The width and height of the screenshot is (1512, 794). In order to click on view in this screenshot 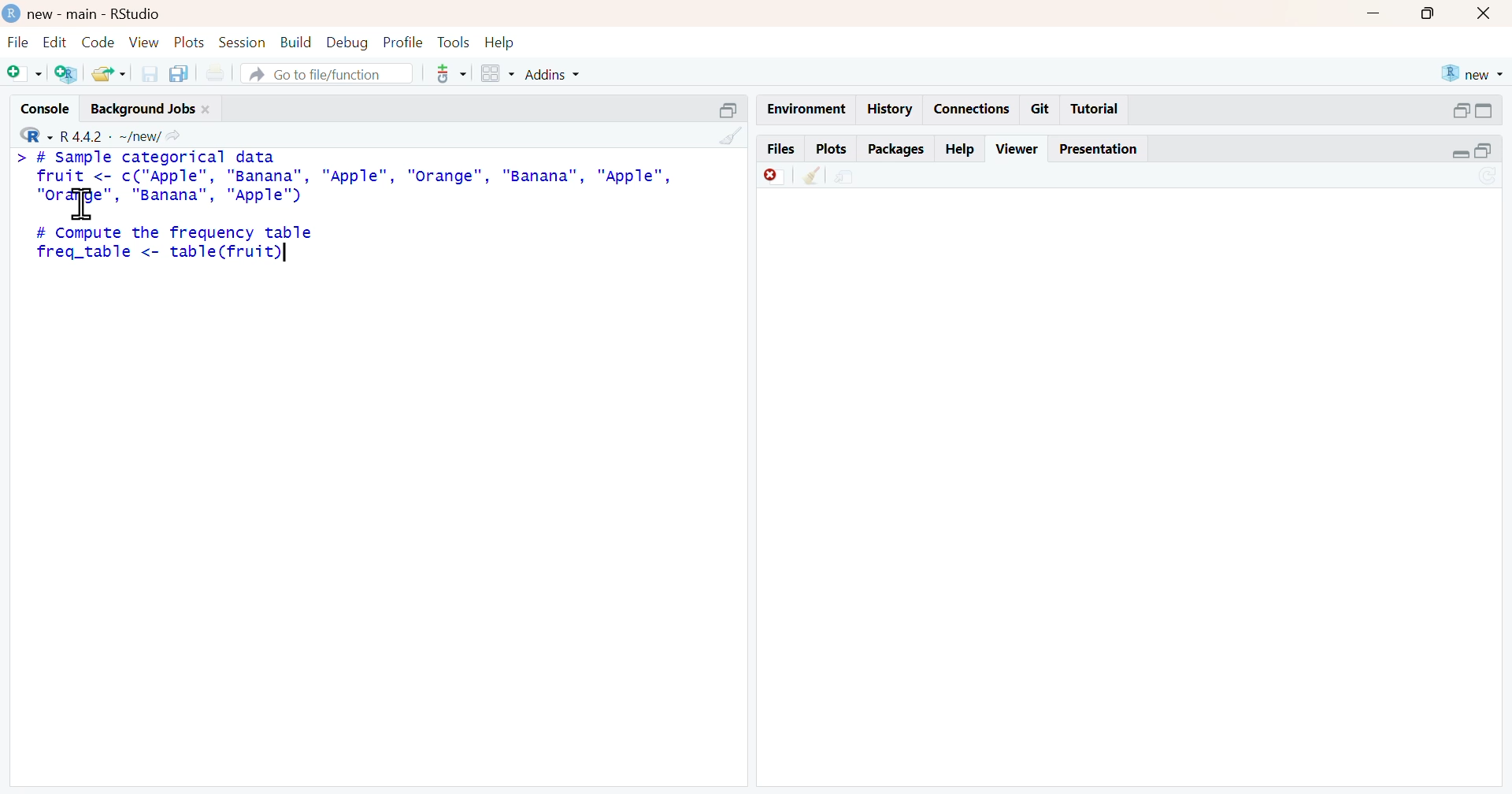, I will do `click(145, 43)`.